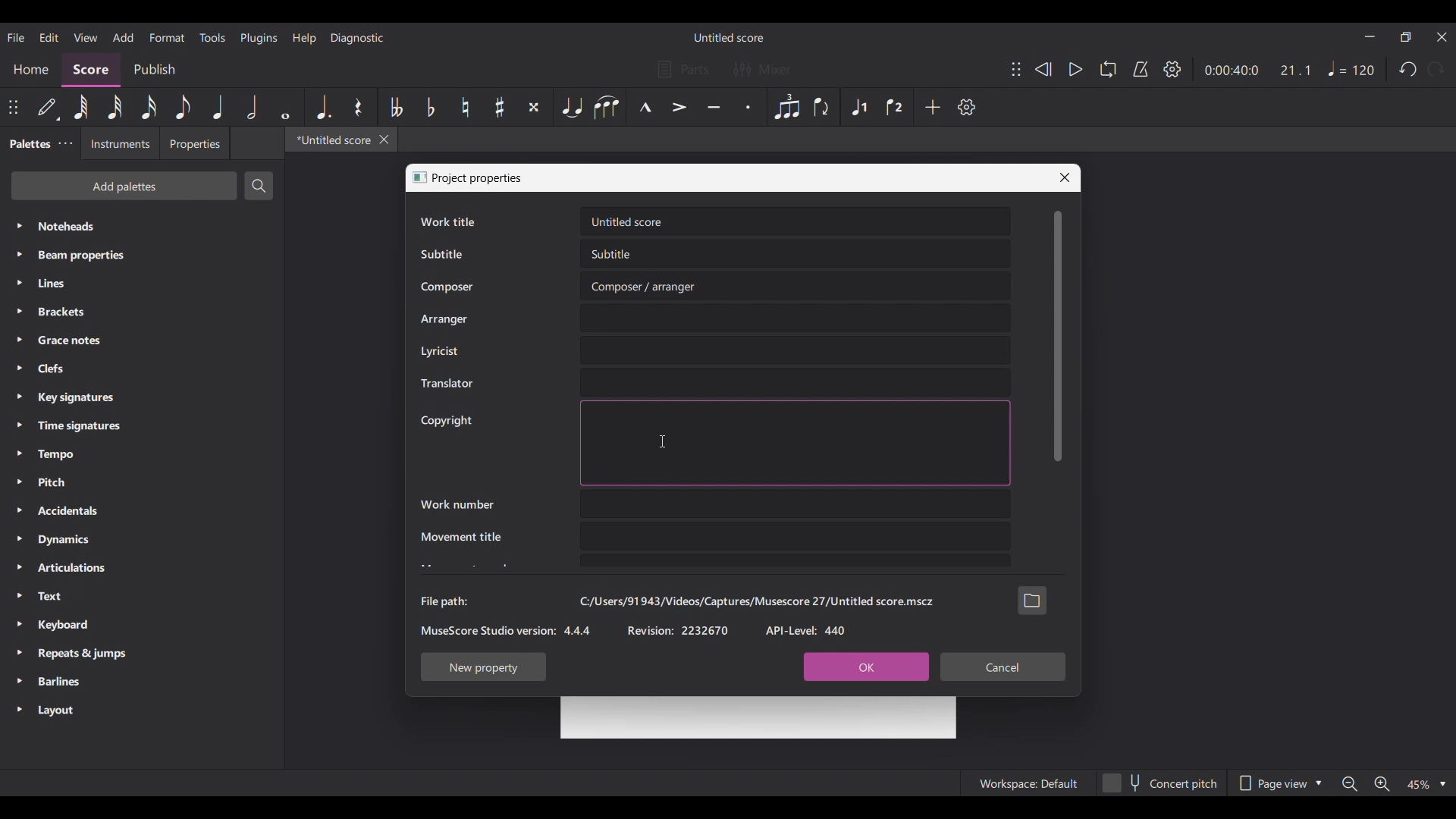 The height and width of the screenshot is (819, 1456). What do you see at coordinates (534, 107) in the screenshot?
I see `Toggle double sharp` at bounding box center [534, 107].